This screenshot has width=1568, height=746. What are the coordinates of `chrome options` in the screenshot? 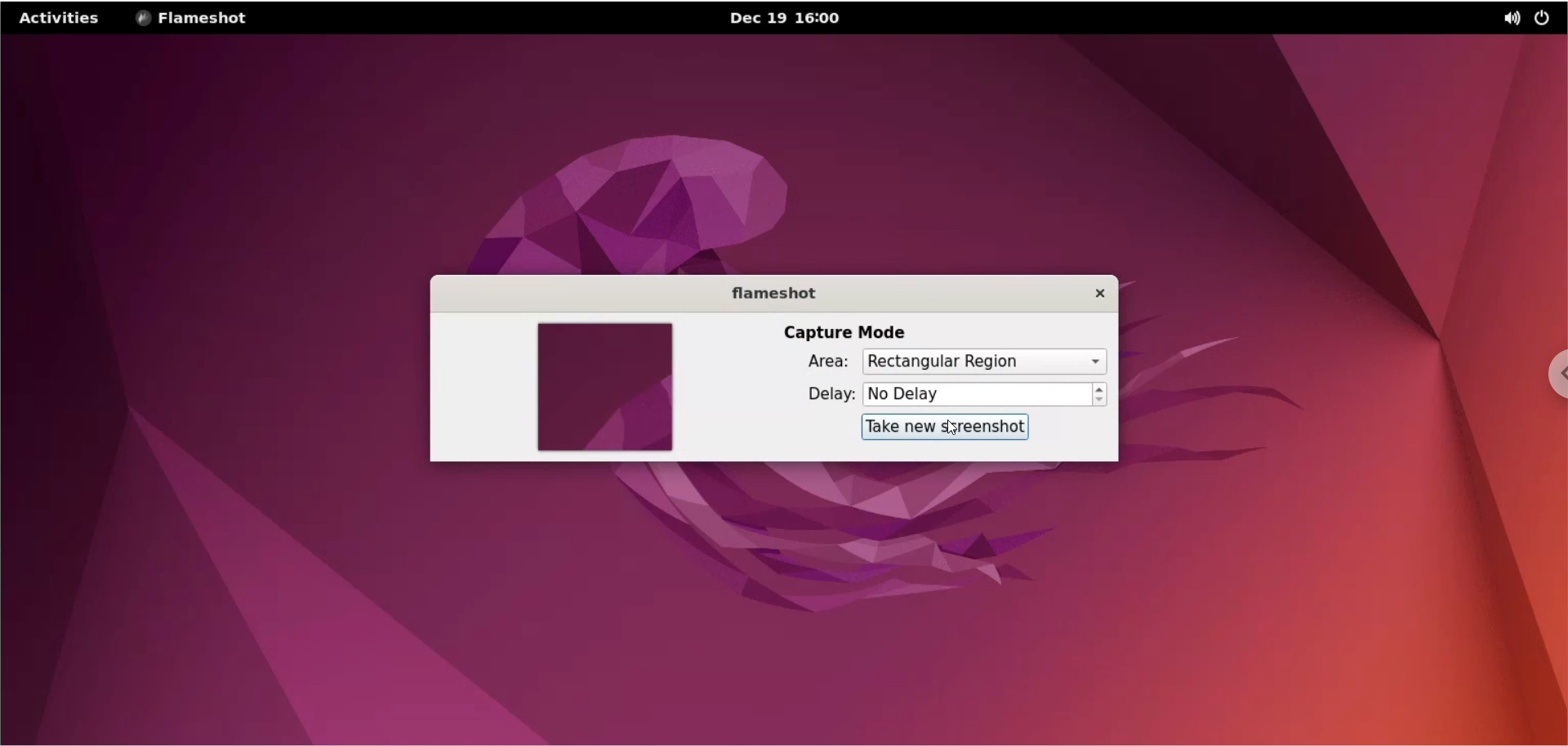 It's located at (1540, 383).